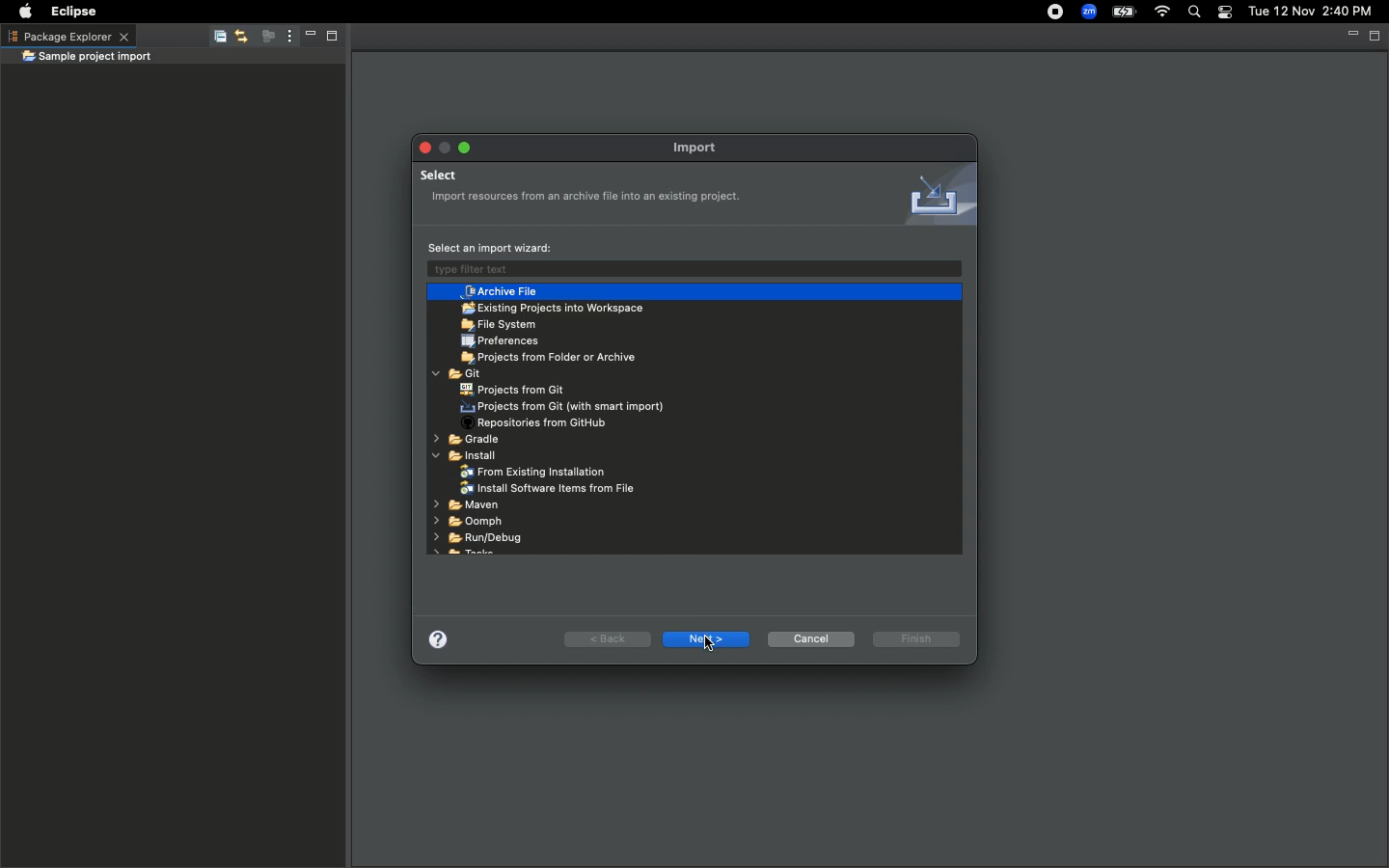 The width and height of the screenshot is (1389, 868). What do you see at coordinates (68, 36) in the screenshot?
I see `Package explorer` at bounding box center [68, 36].